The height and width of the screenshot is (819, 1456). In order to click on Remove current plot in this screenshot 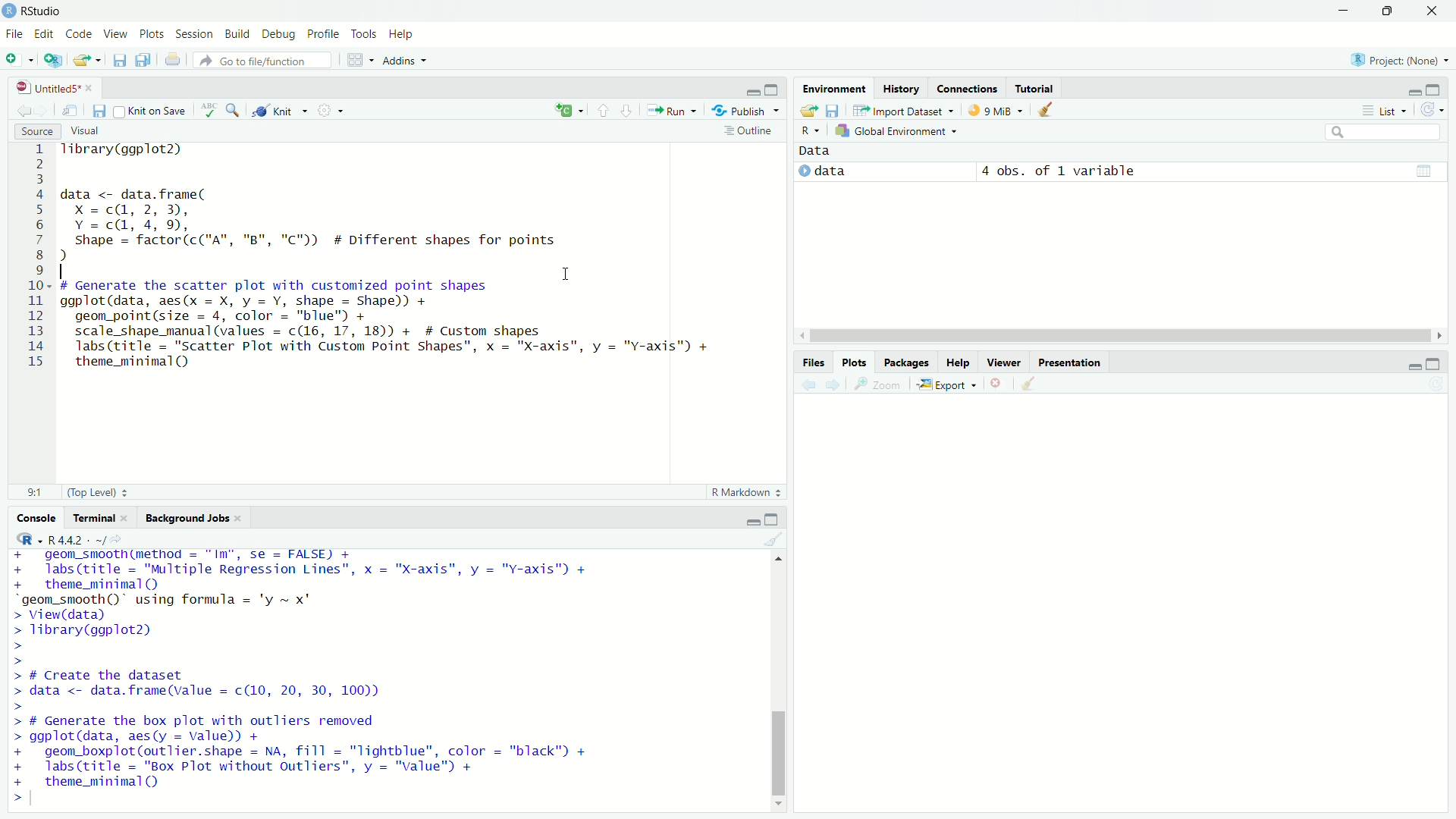, I will do `click(996, 383)`.